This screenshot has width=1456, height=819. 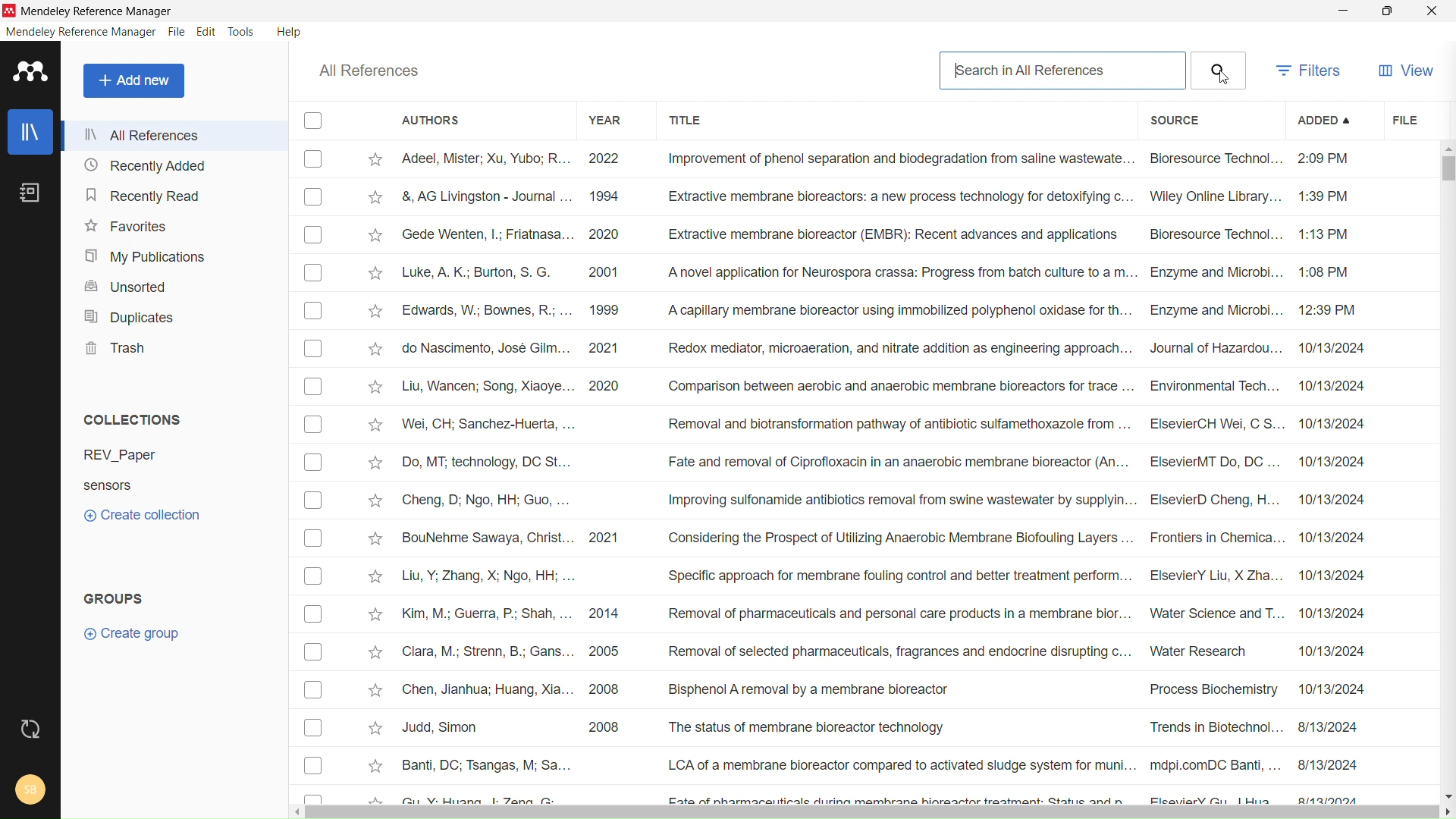 I want to click on logo, so click(x=10, y=11).